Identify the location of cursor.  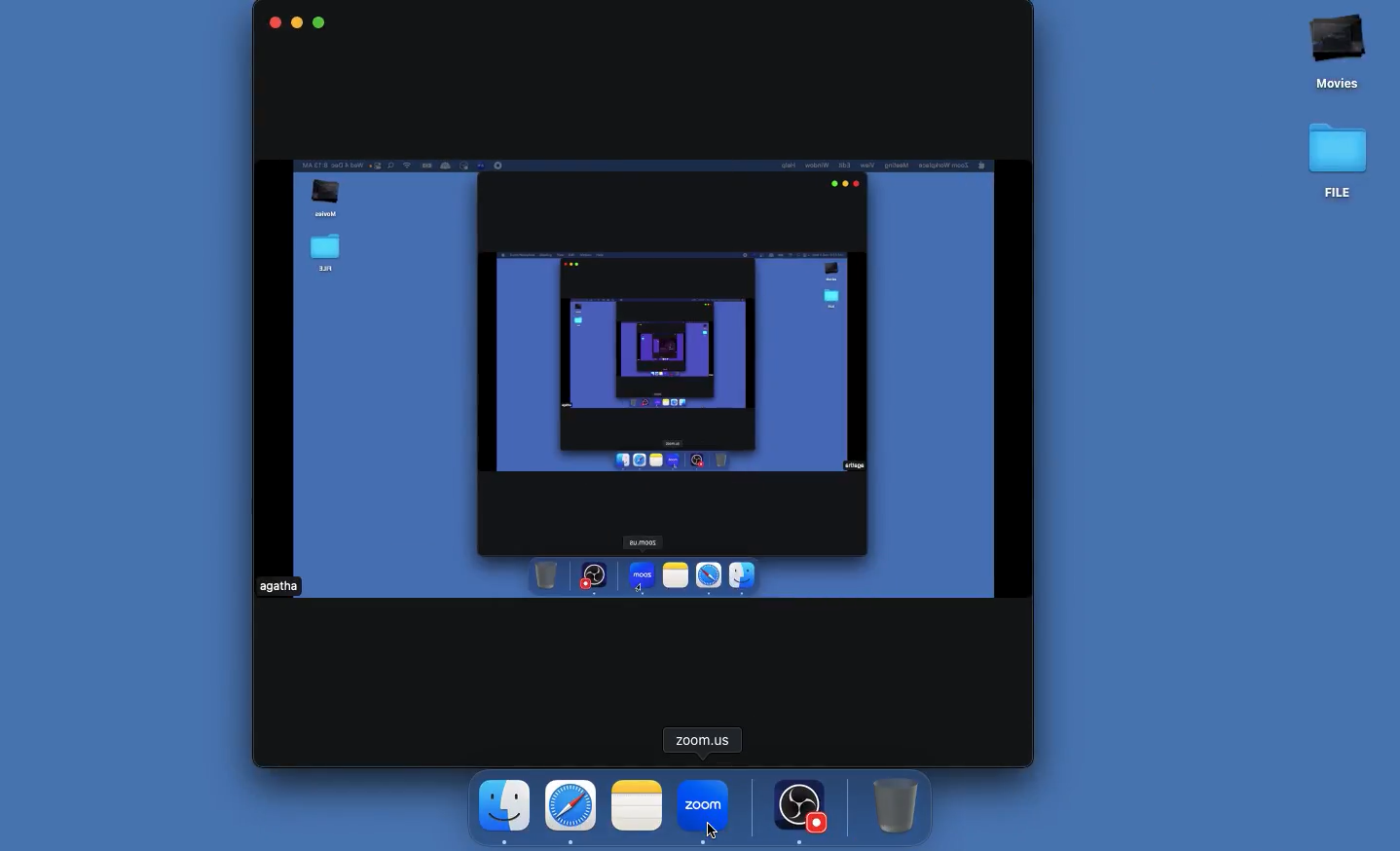
(712, 828).